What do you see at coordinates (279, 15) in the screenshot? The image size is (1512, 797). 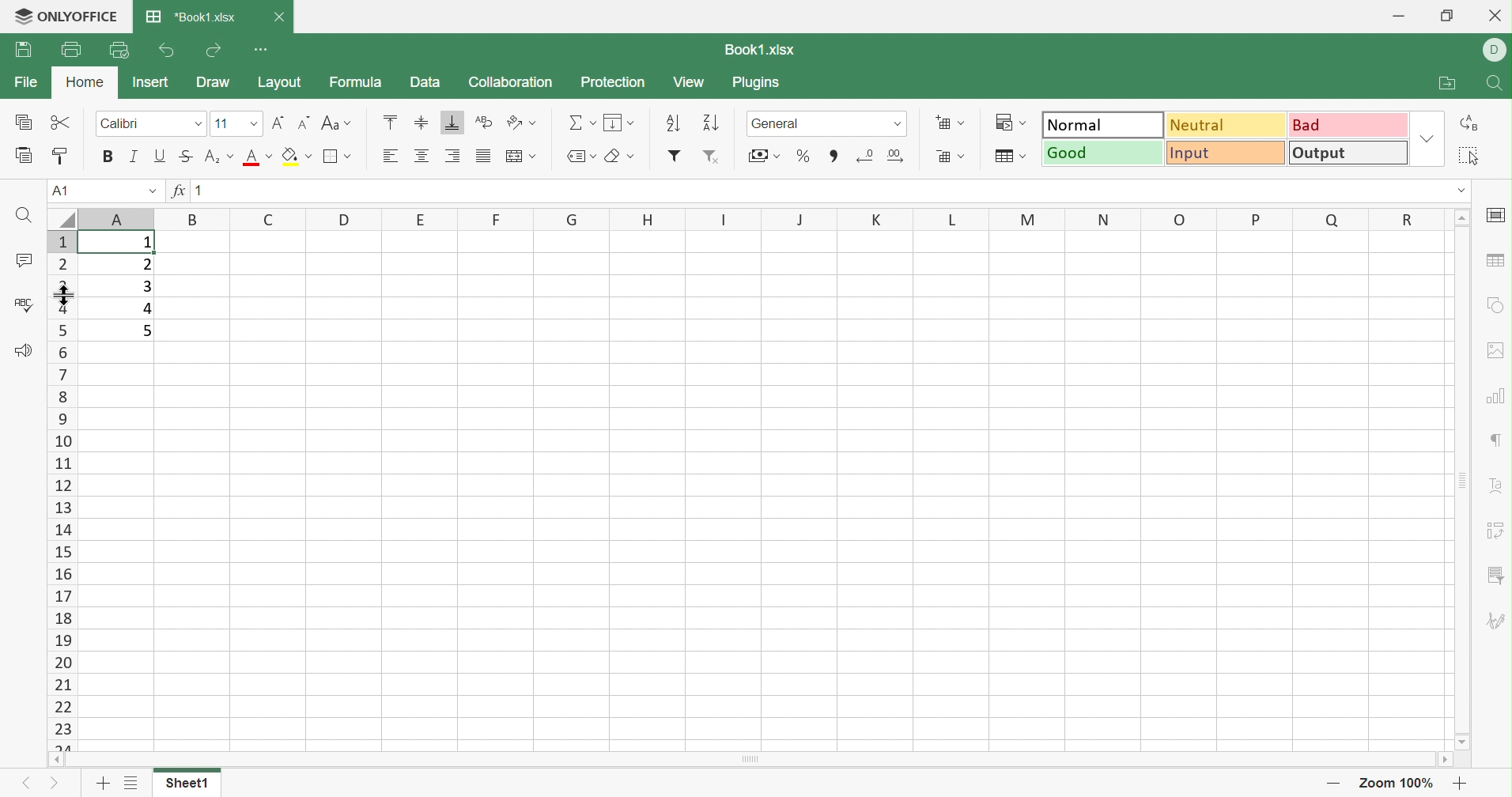 I see `Close` at bounding box center [279, 15].